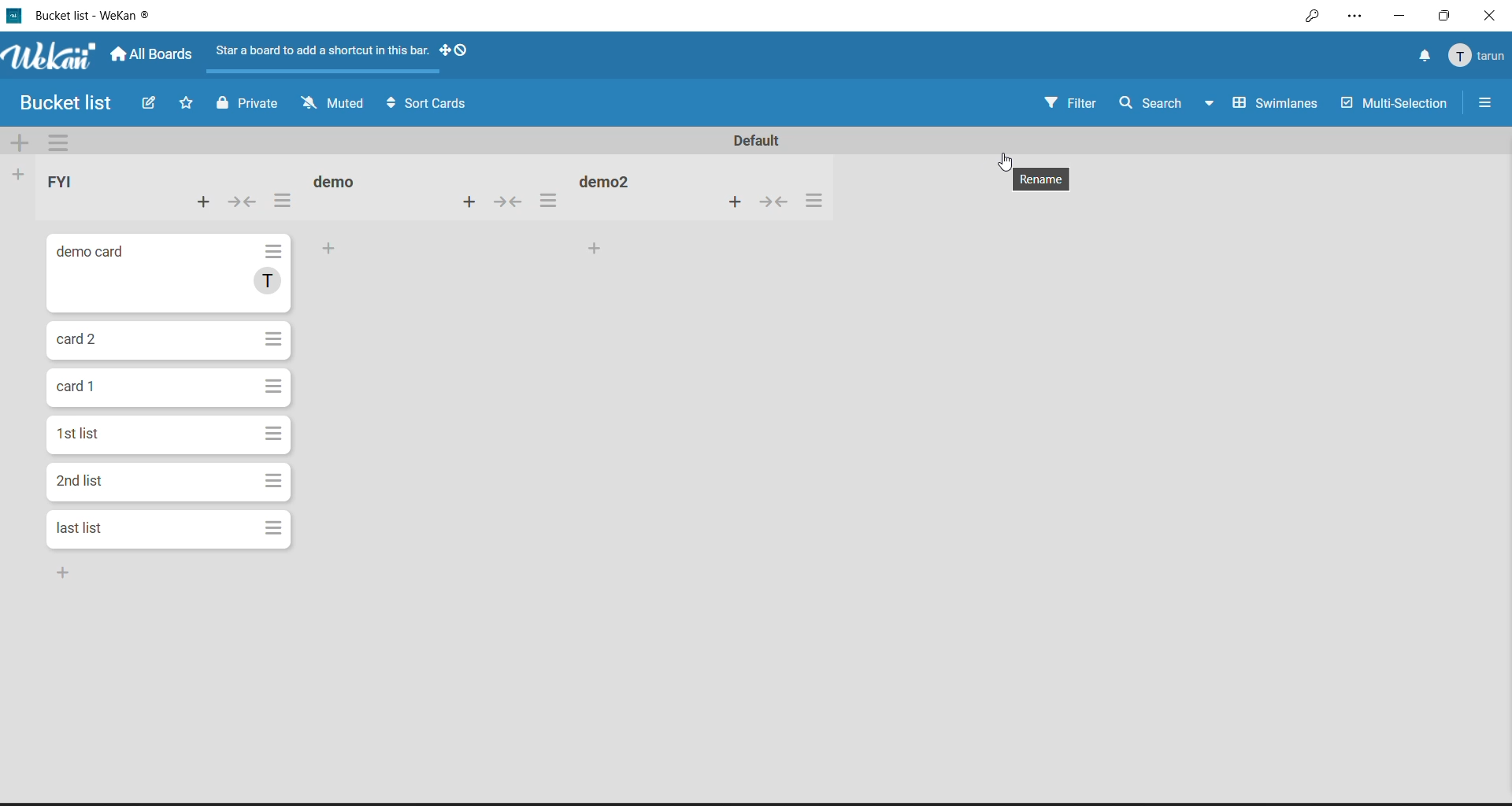 The image size is (1512, 806). I want to click on click to star this board, so click(186, 102).